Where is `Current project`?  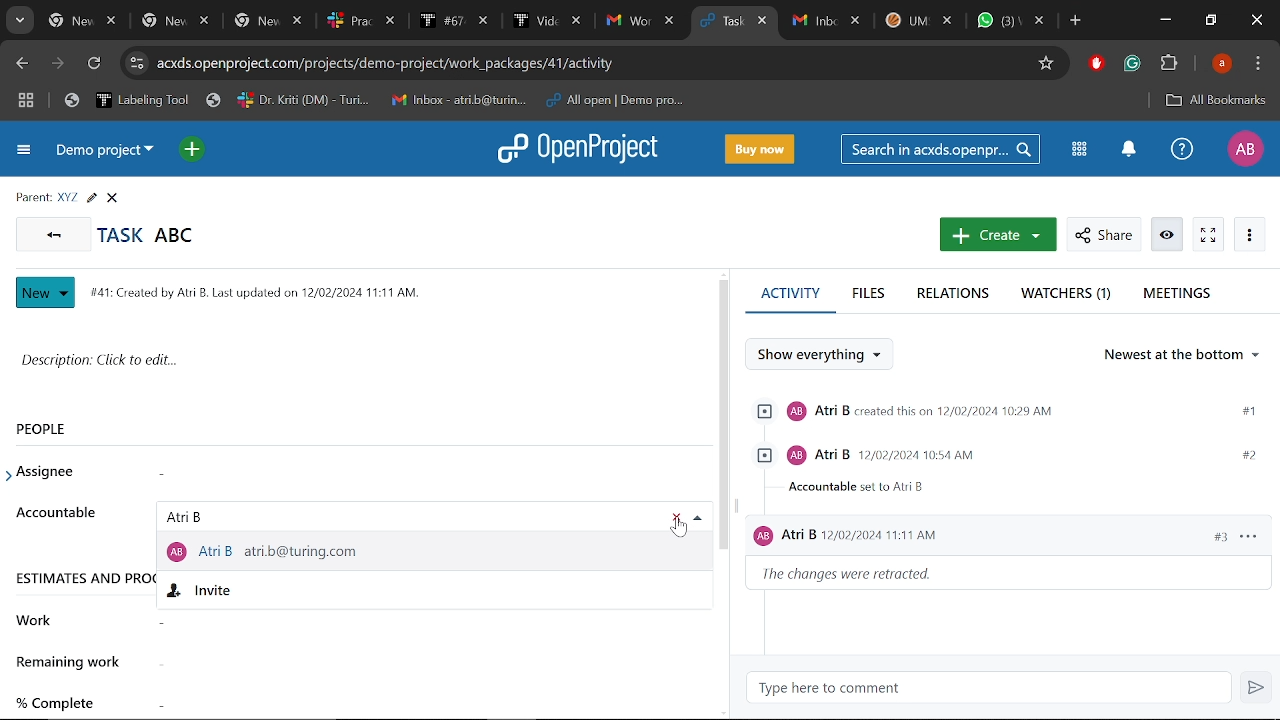
Current project is located at coordinates (105, 154).